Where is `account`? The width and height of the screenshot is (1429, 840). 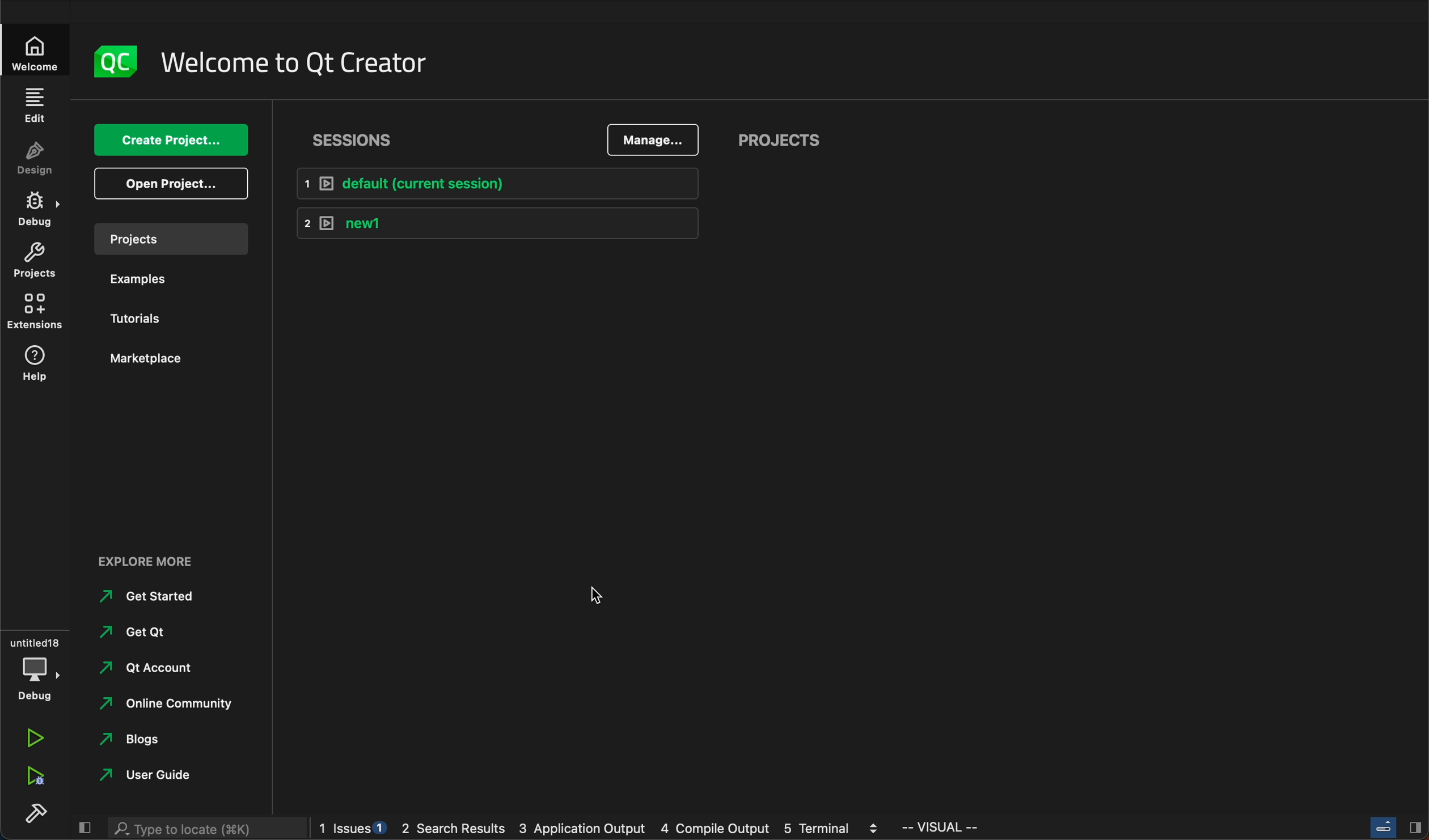 account is located at coordinates (147, 668).